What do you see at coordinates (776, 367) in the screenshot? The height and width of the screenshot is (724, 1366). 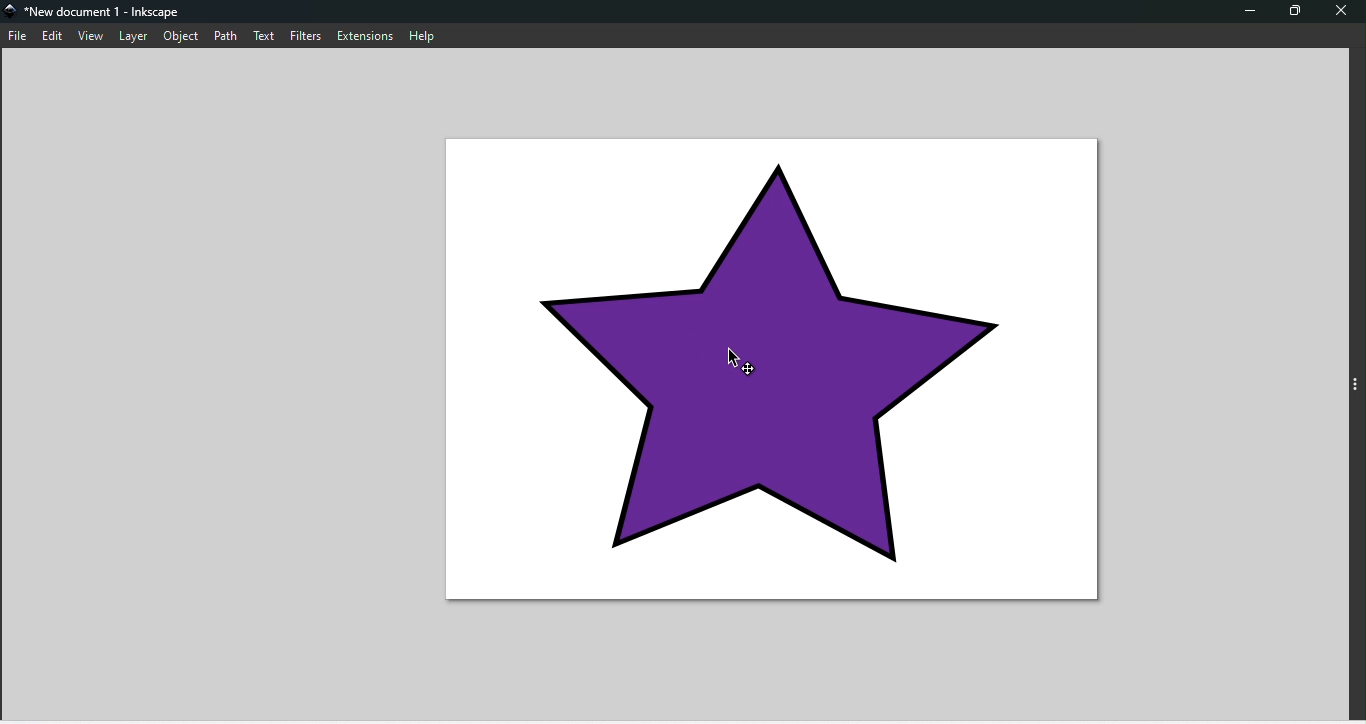 I see `Canvas` at bounding box center [776, 367].